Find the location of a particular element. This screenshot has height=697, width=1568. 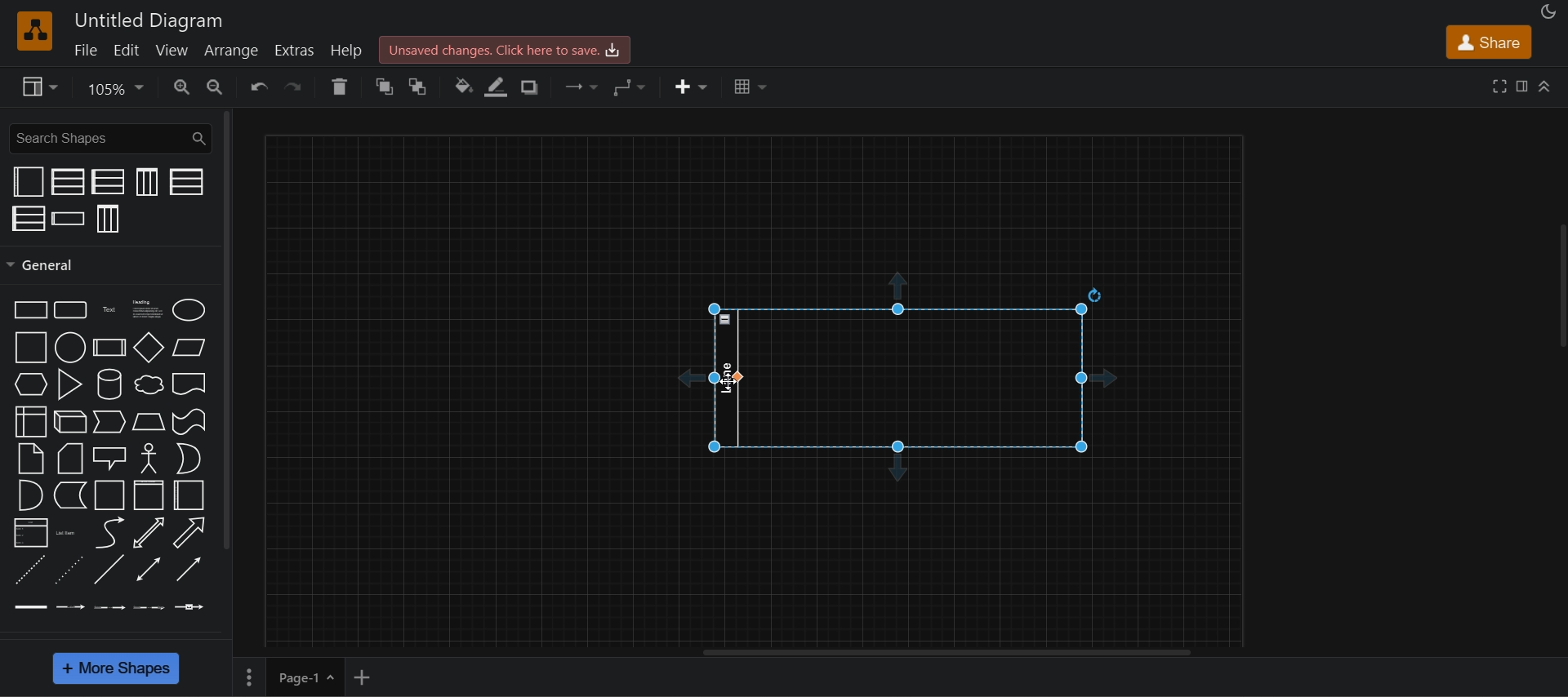

logo is located at coordinates (35, 30).